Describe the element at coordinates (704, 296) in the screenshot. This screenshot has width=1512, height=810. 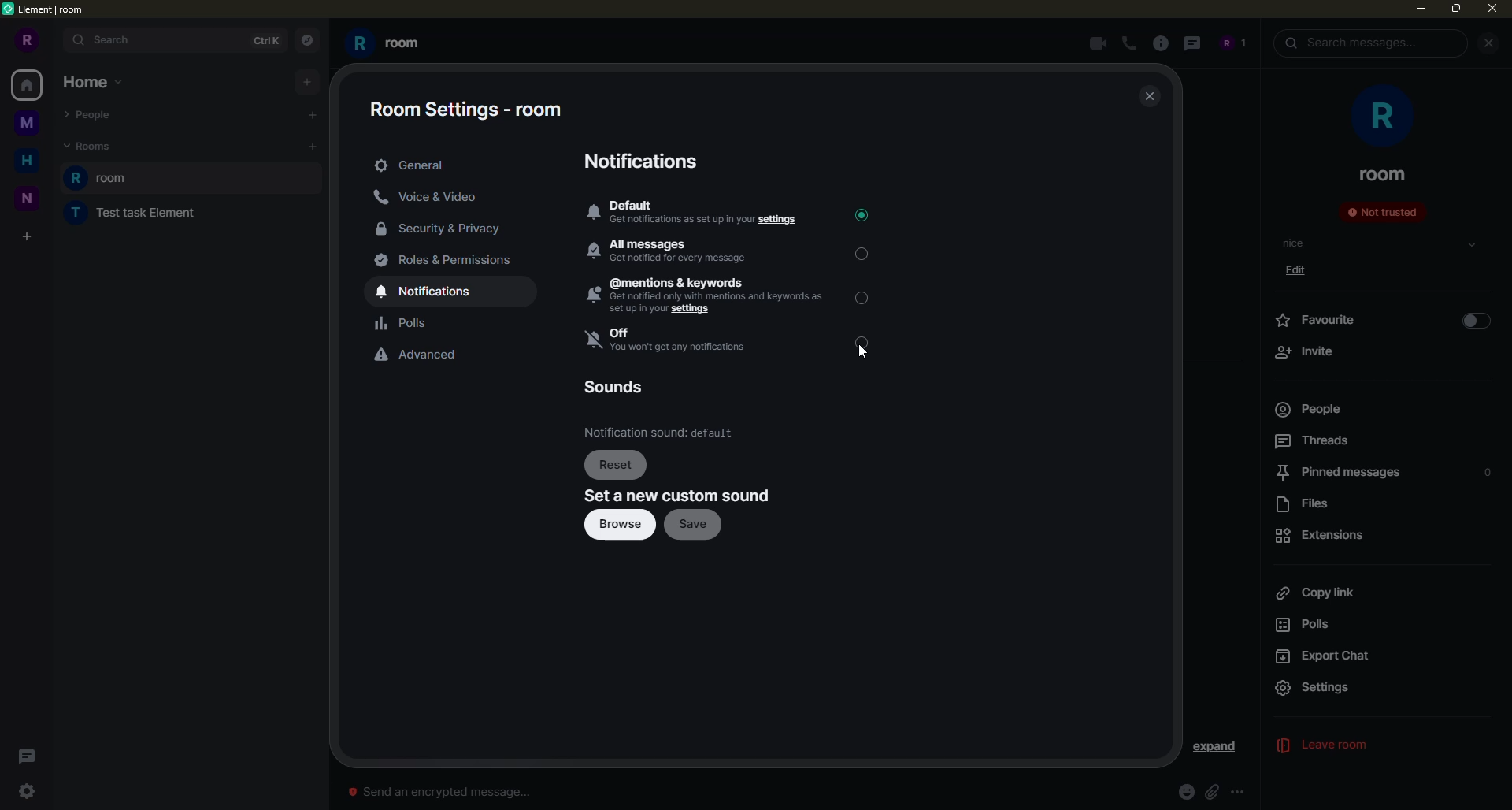
I see `@mentions` at that location.